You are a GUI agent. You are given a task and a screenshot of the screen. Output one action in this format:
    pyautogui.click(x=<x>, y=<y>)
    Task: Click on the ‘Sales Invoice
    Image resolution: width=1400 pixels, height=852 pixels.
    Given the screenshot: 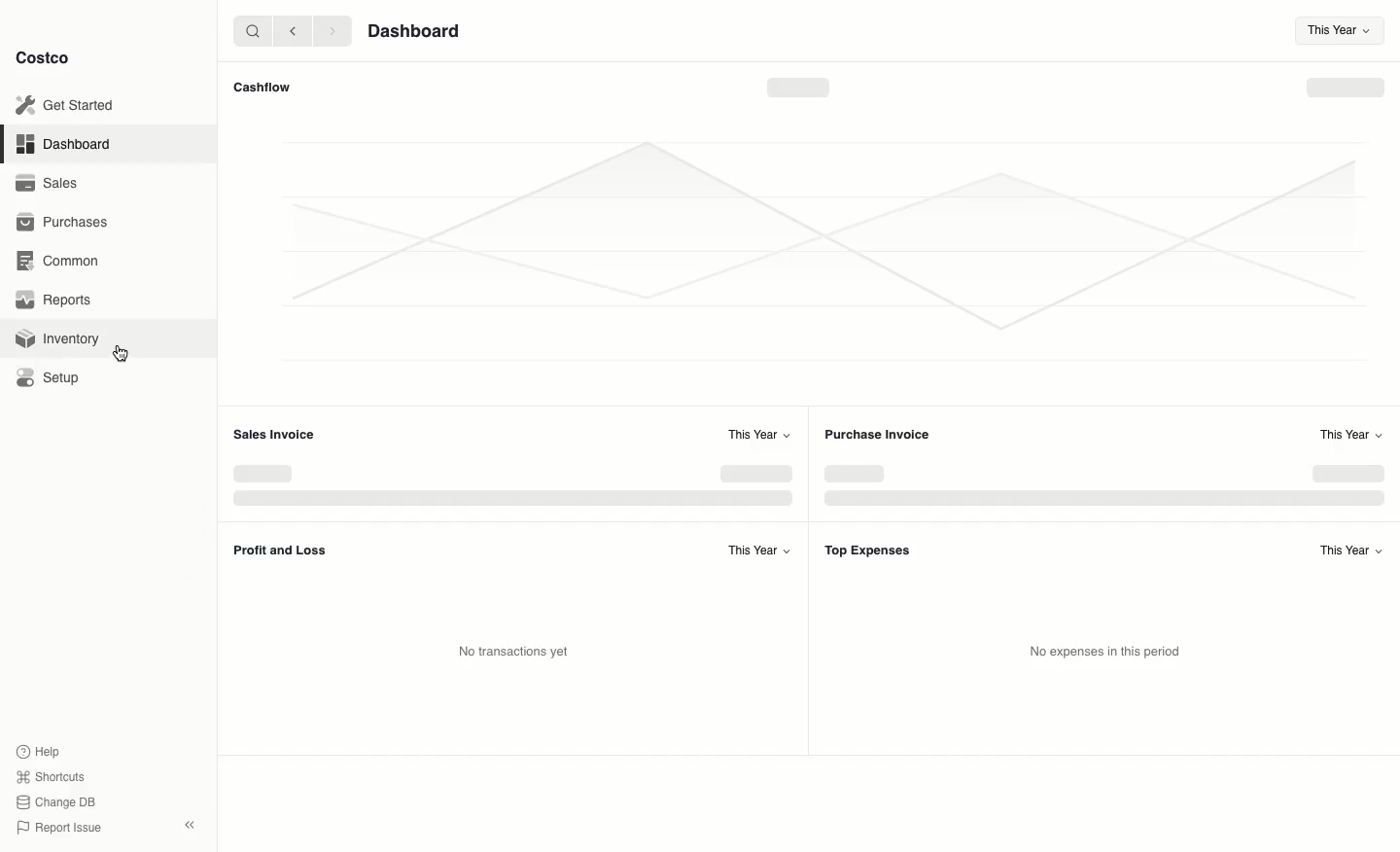 What is the action you would take?
    pyautogui.click(x=274, y=433)
    